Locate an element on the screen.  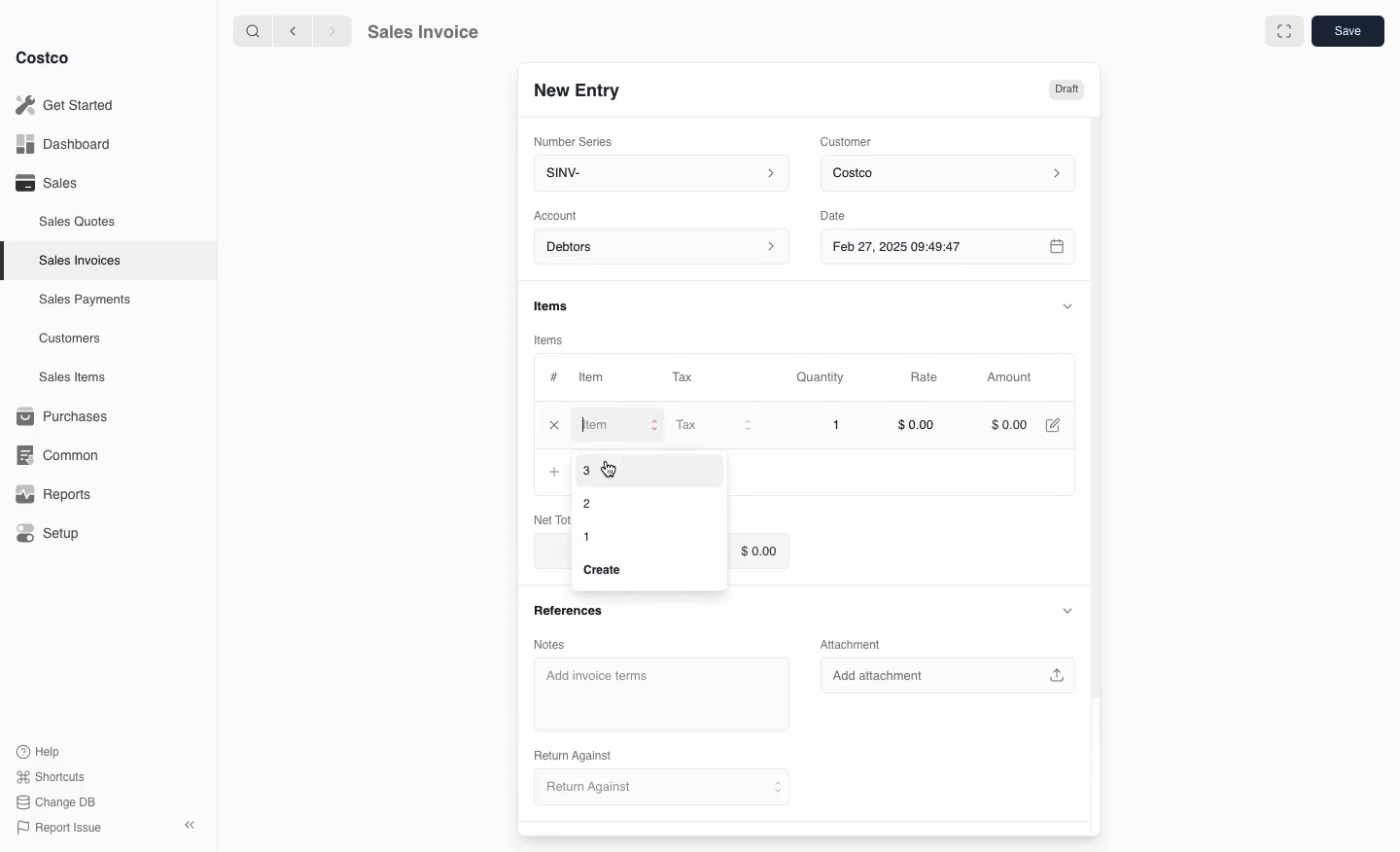
Customer is located at coordinates (847, 140).